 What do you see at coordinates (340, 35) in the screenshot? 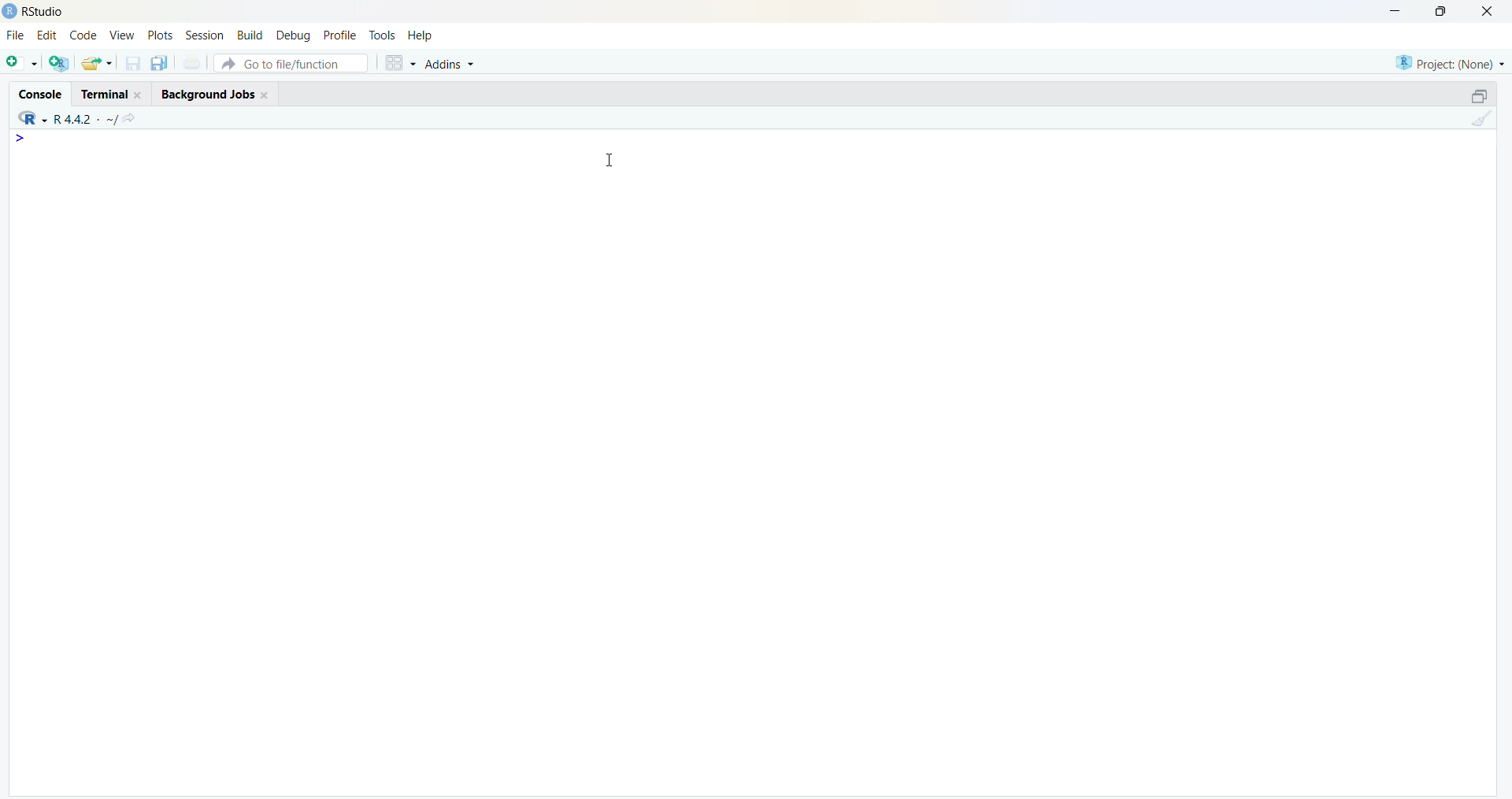
I see `profile` at bounding box center [340, 35].